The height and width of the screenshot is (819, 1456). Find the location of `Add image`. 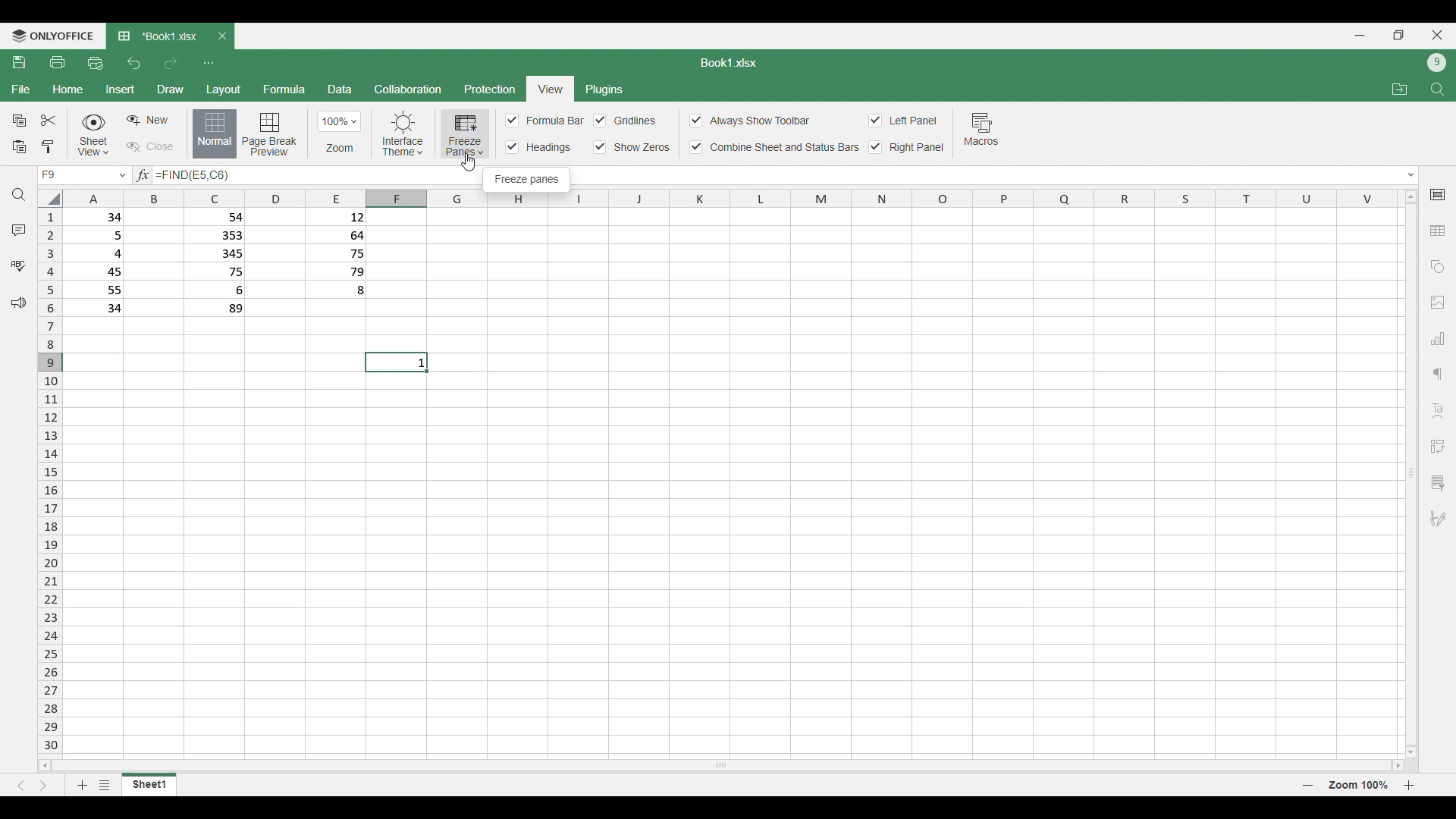

Add image is located at coordinates (1439, 303).